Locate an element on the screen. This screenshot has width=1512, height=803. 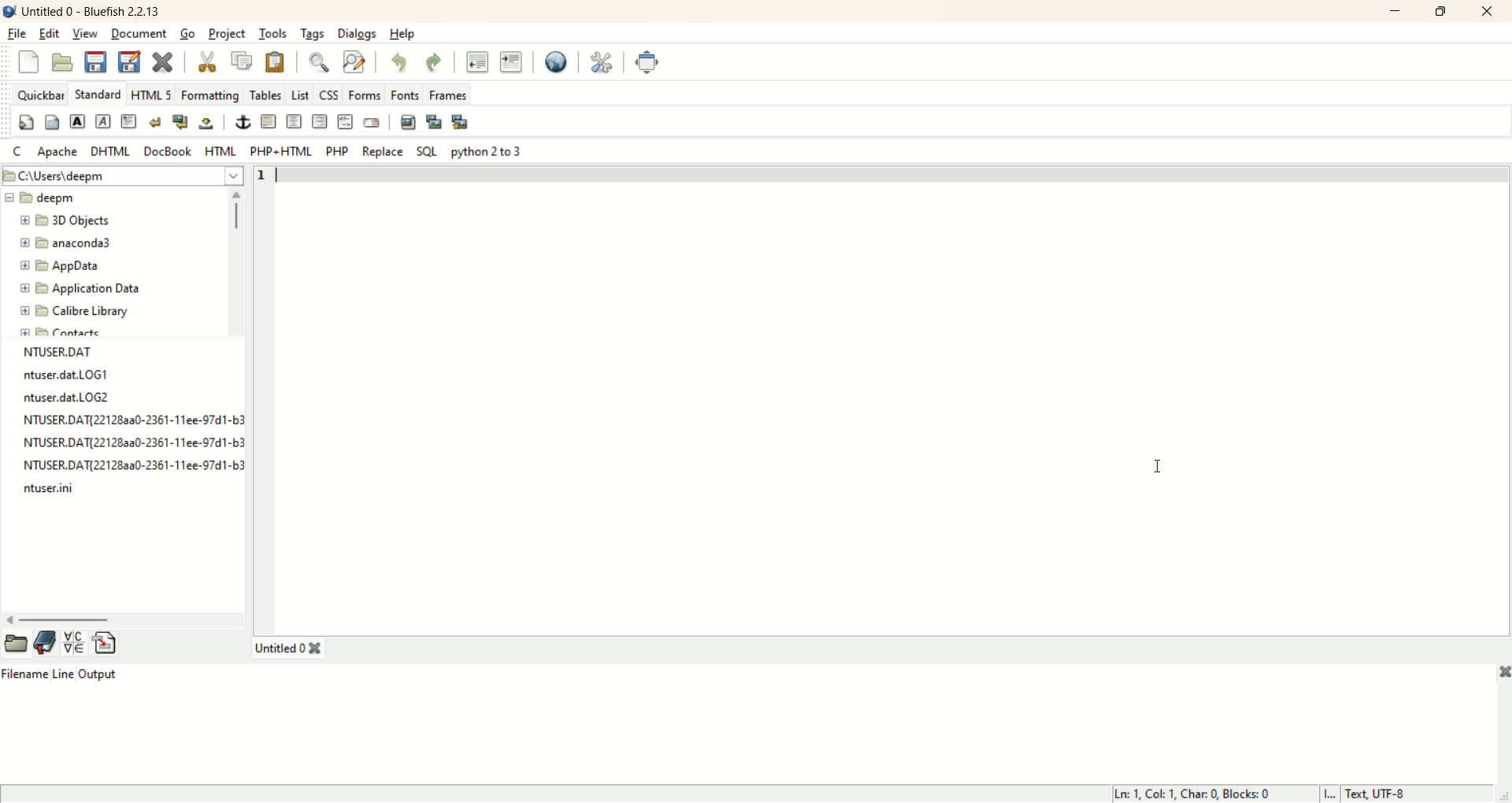
ln, col, char, block is located at coordinates (1203, 794).